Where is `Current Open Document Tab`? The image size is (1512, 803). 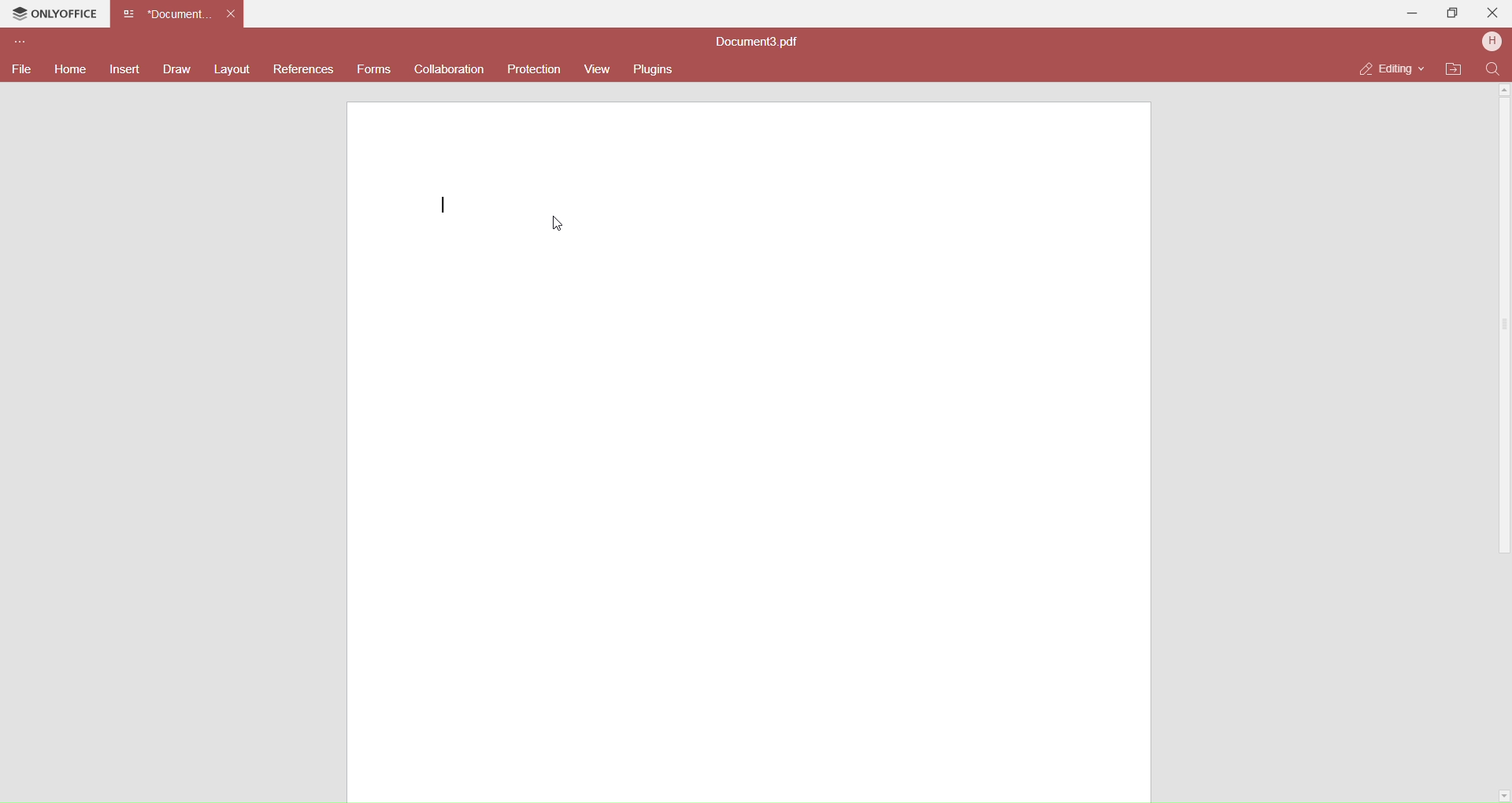
Current Open Document Tab is located at coordinates (167, 13).